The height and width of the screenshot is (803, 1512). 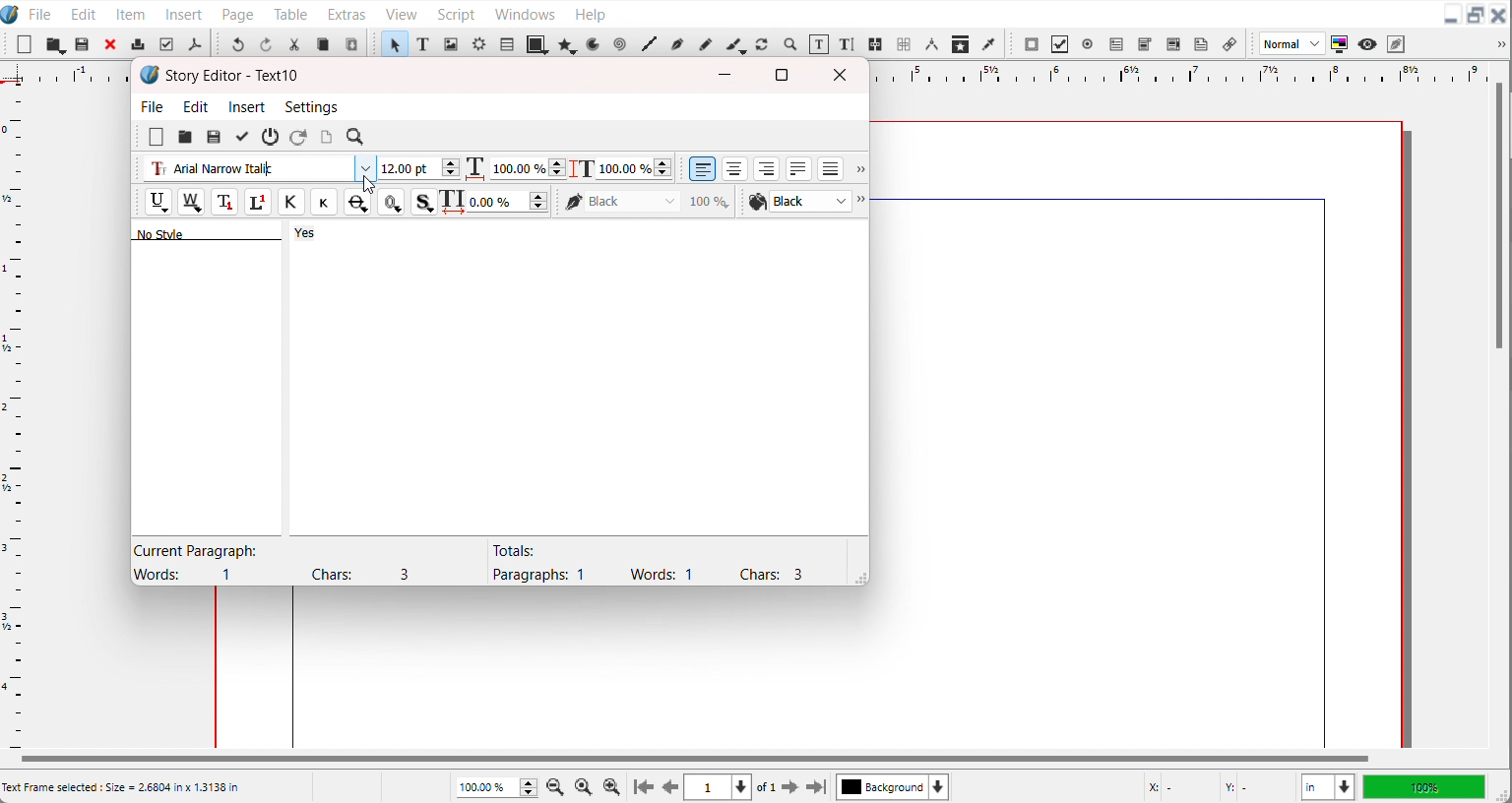 What do you see at coordinates (351, 43) in the screenshot?
I see `Paste` at bounding box center [351, 43].